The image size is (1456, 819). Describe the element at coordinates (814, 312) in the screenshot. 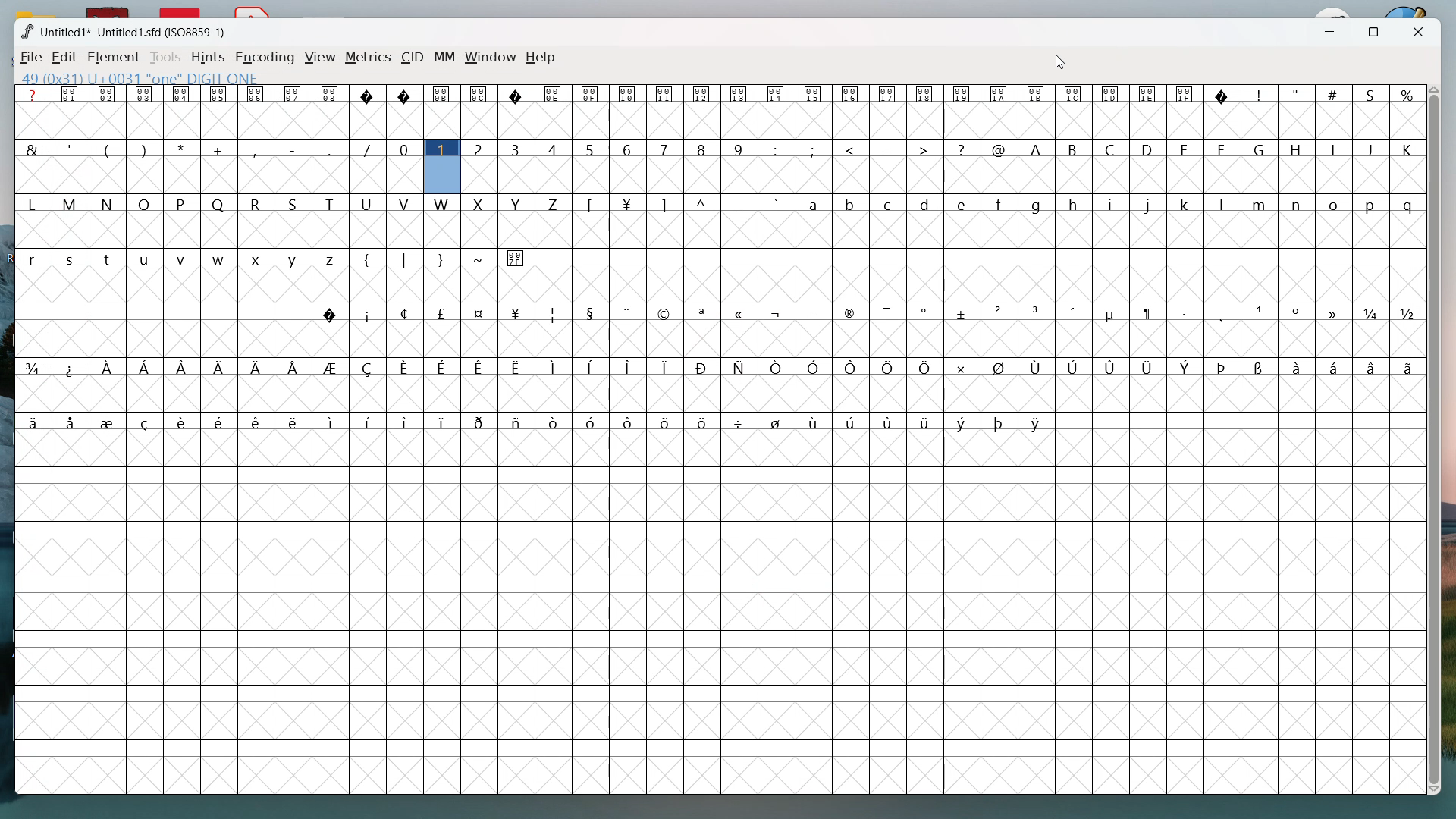

I see `symbol` at that location.